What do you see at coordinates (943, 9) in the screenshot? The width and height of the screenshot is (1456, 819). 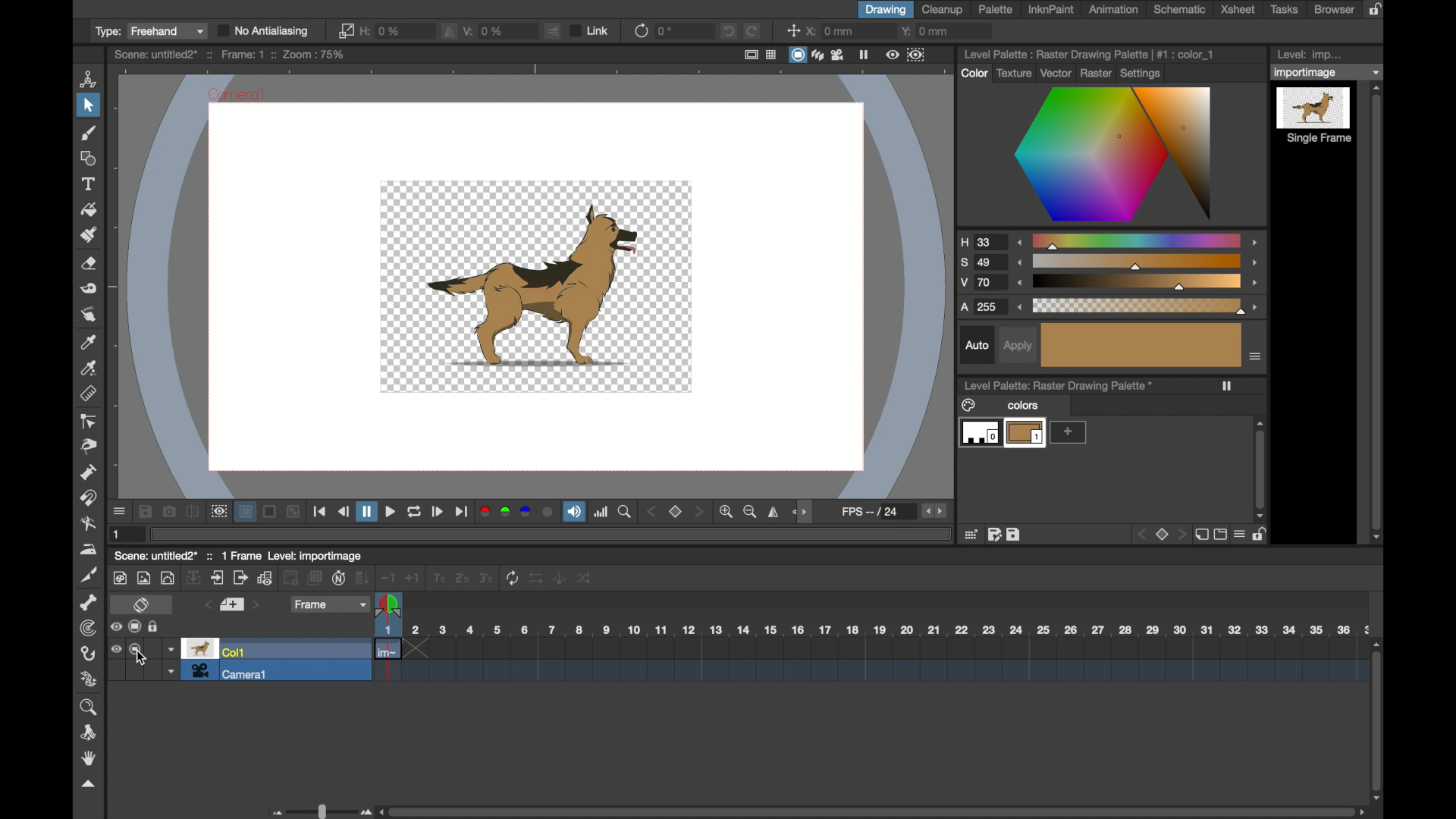 I see `cleanup` at bounding box center [943, 9].